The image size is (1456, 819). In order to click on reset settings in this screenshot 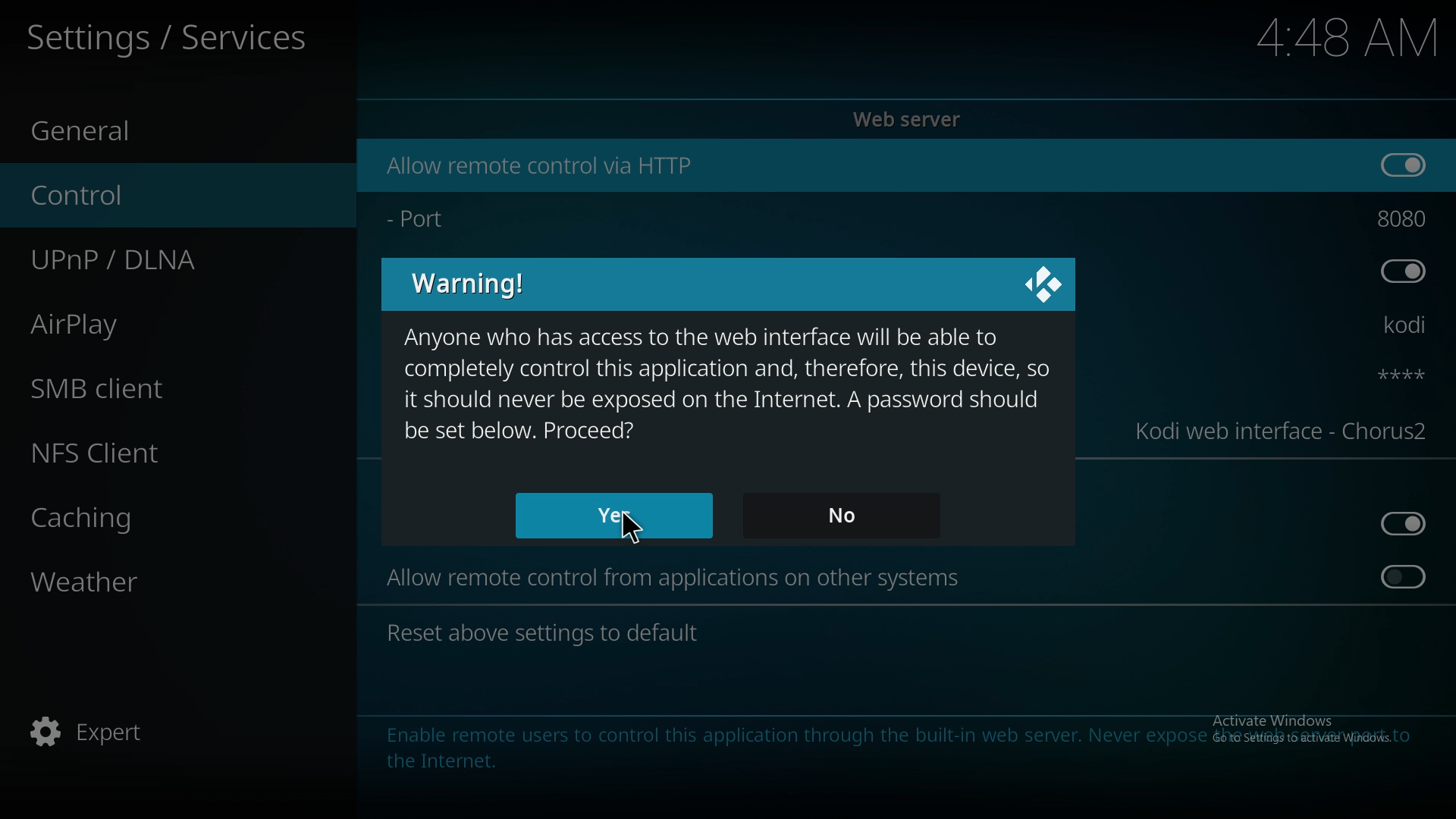, I will do `click(548, 632)`.